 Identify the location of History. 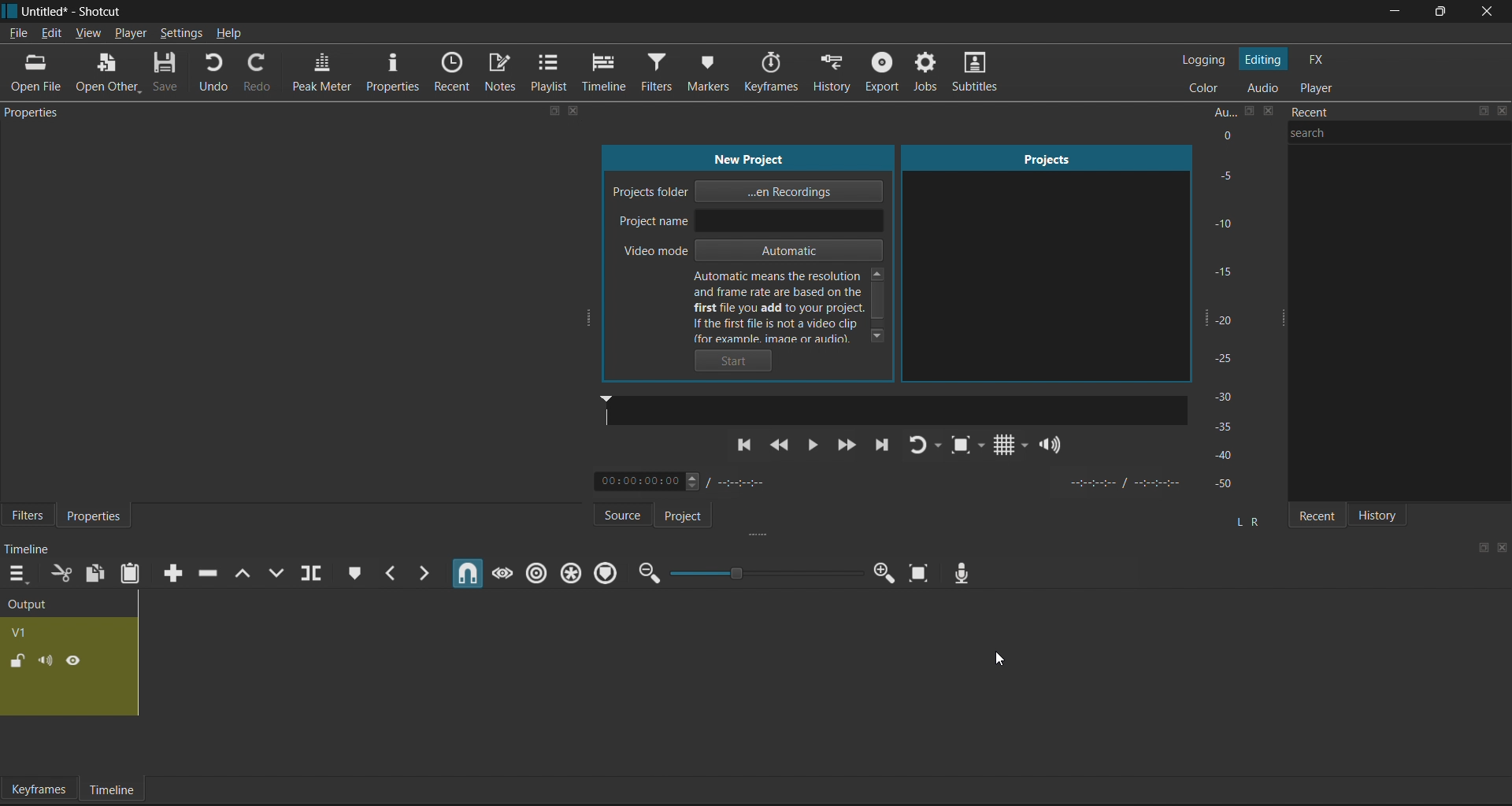
(1385, 513).